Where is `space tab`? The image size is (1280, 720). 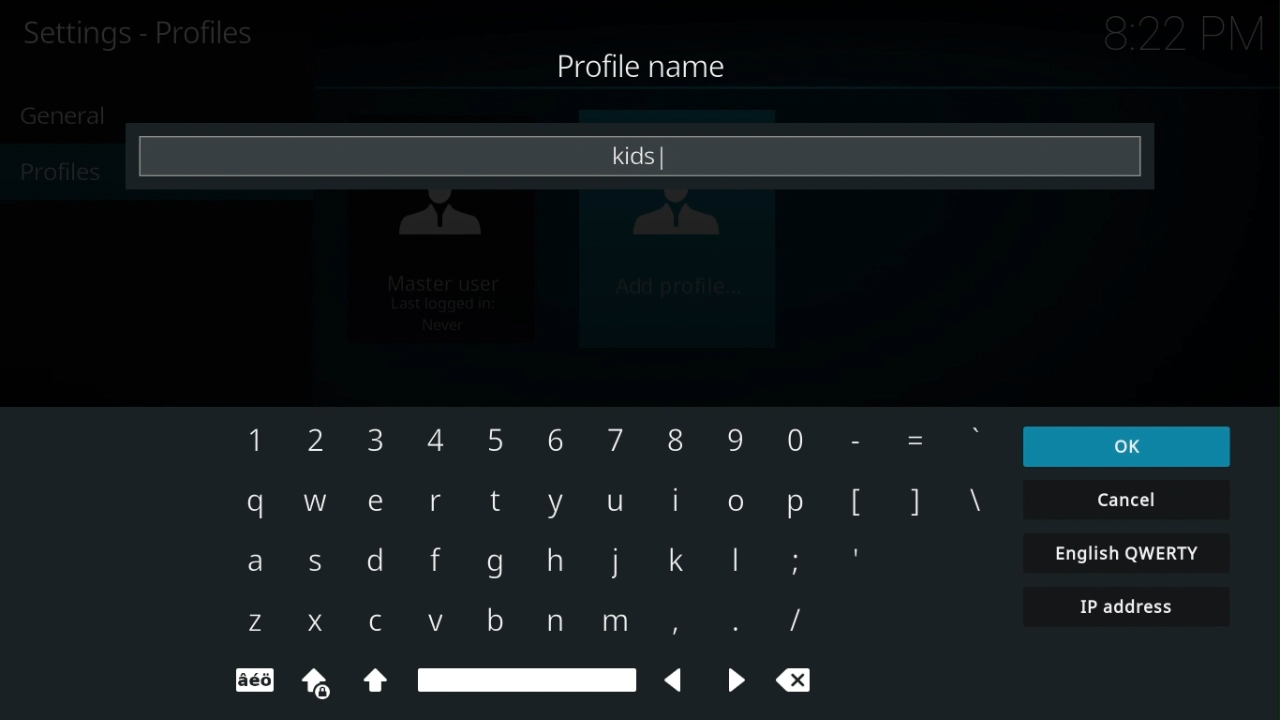 space tab is located at coordinates (531, 678).